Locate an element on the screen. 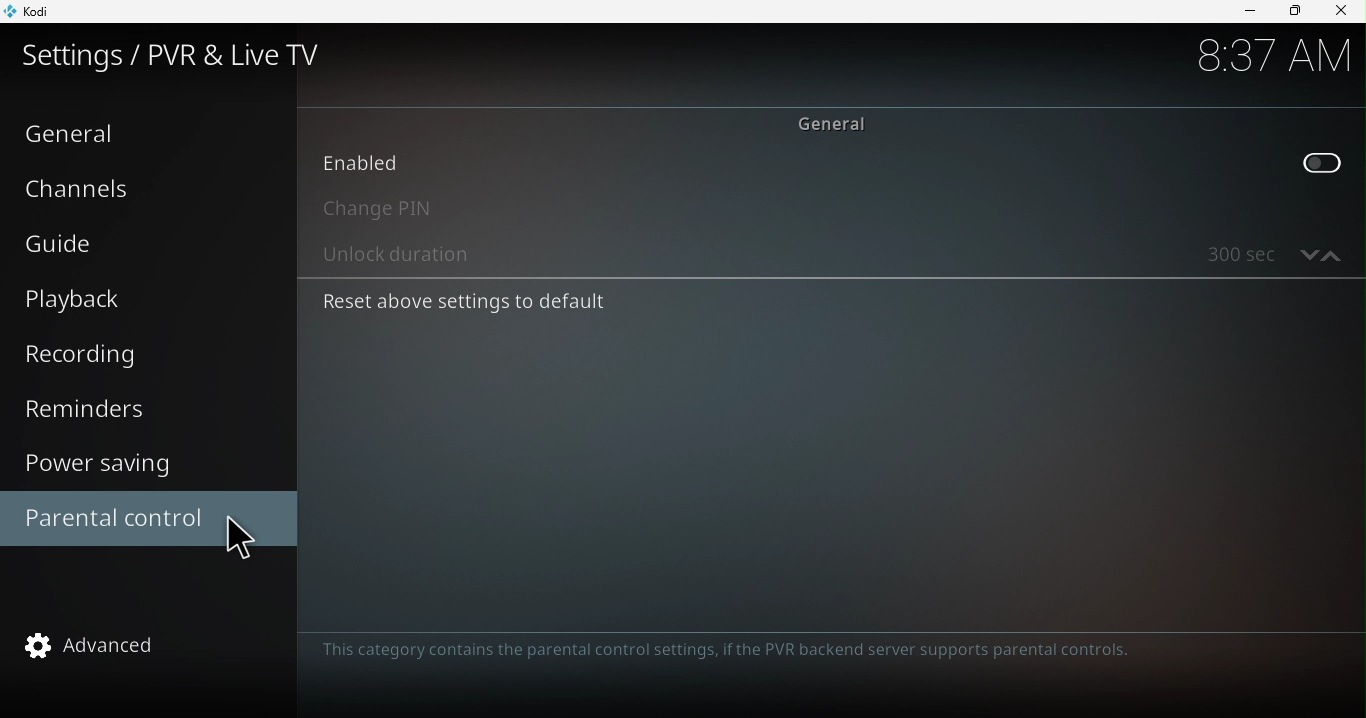 This screenshot has width=1366, height=718. Reminders is located at coordinates (94, 412).